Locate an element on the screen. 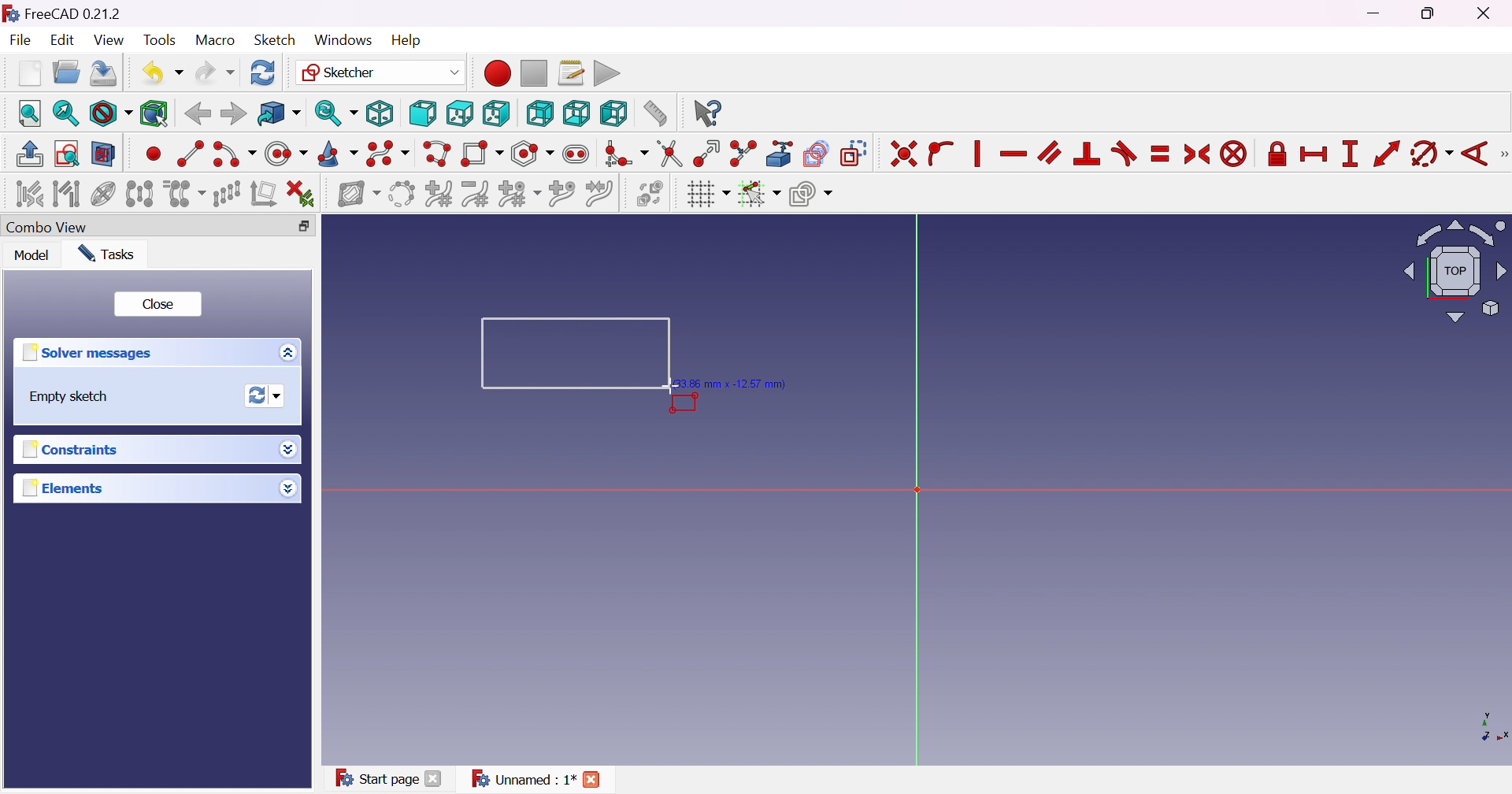 The image size is (1512, 794). Bottom is located at coordinates (576, 113).